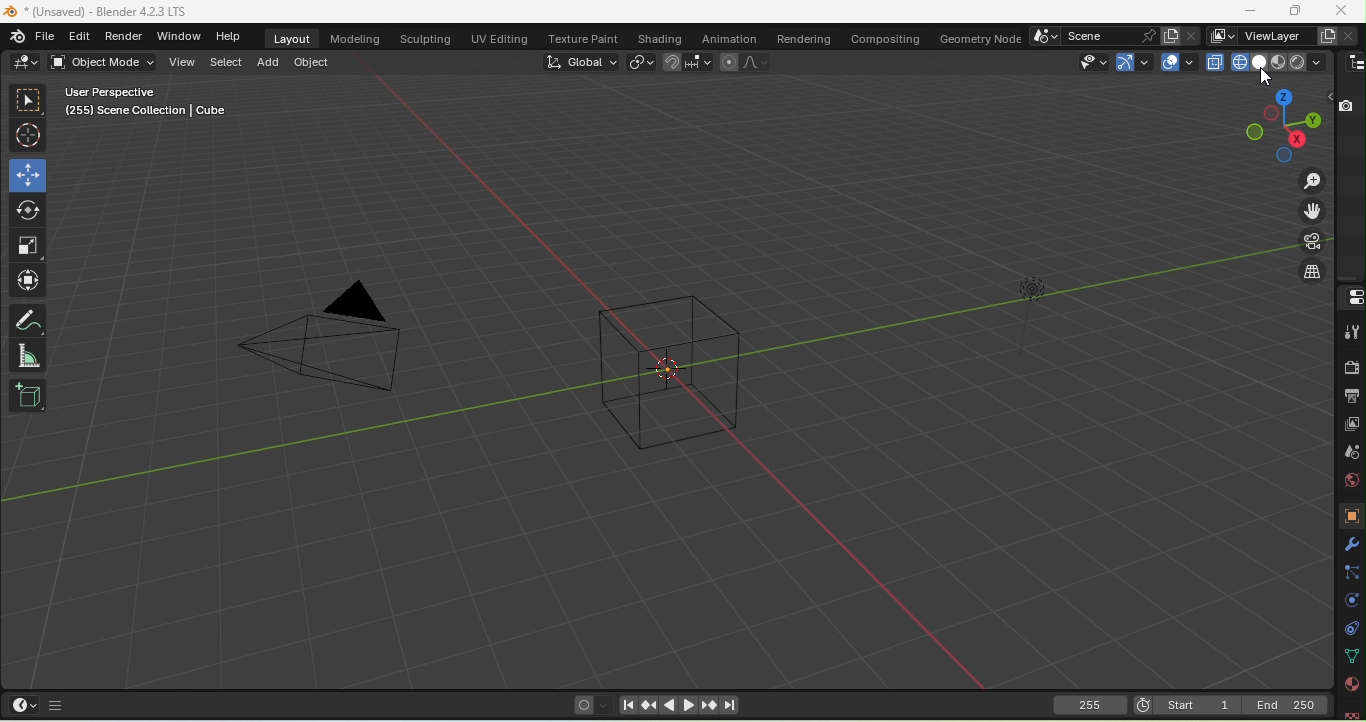 This screenshot has height=722, width=1366. I want to click on Modeling, so click(354, 38).